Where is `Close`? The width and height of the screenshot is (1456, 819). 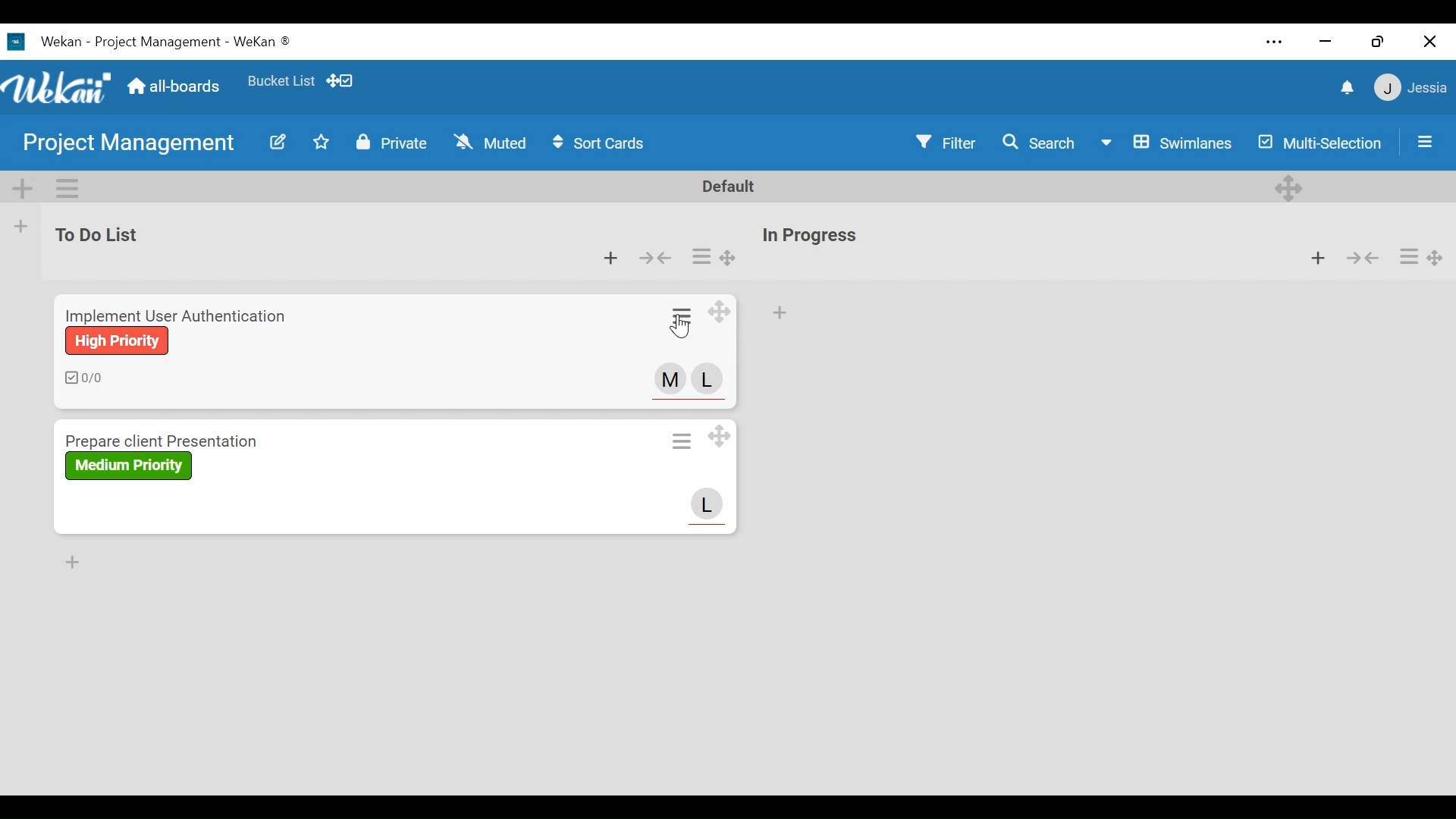 Close is located at coordinates (1430, 41).